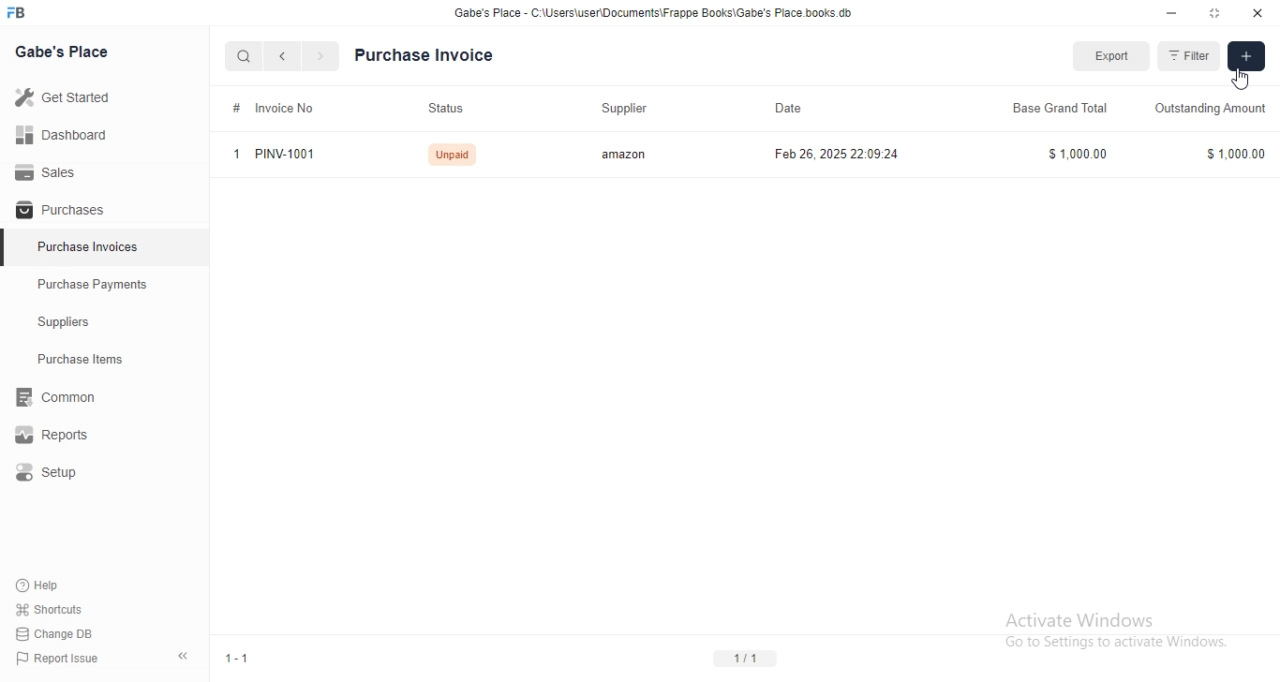  What do you see at coordinates (451, 108) in the screenshot?
I see `Status` at bounding box center [451, 108].